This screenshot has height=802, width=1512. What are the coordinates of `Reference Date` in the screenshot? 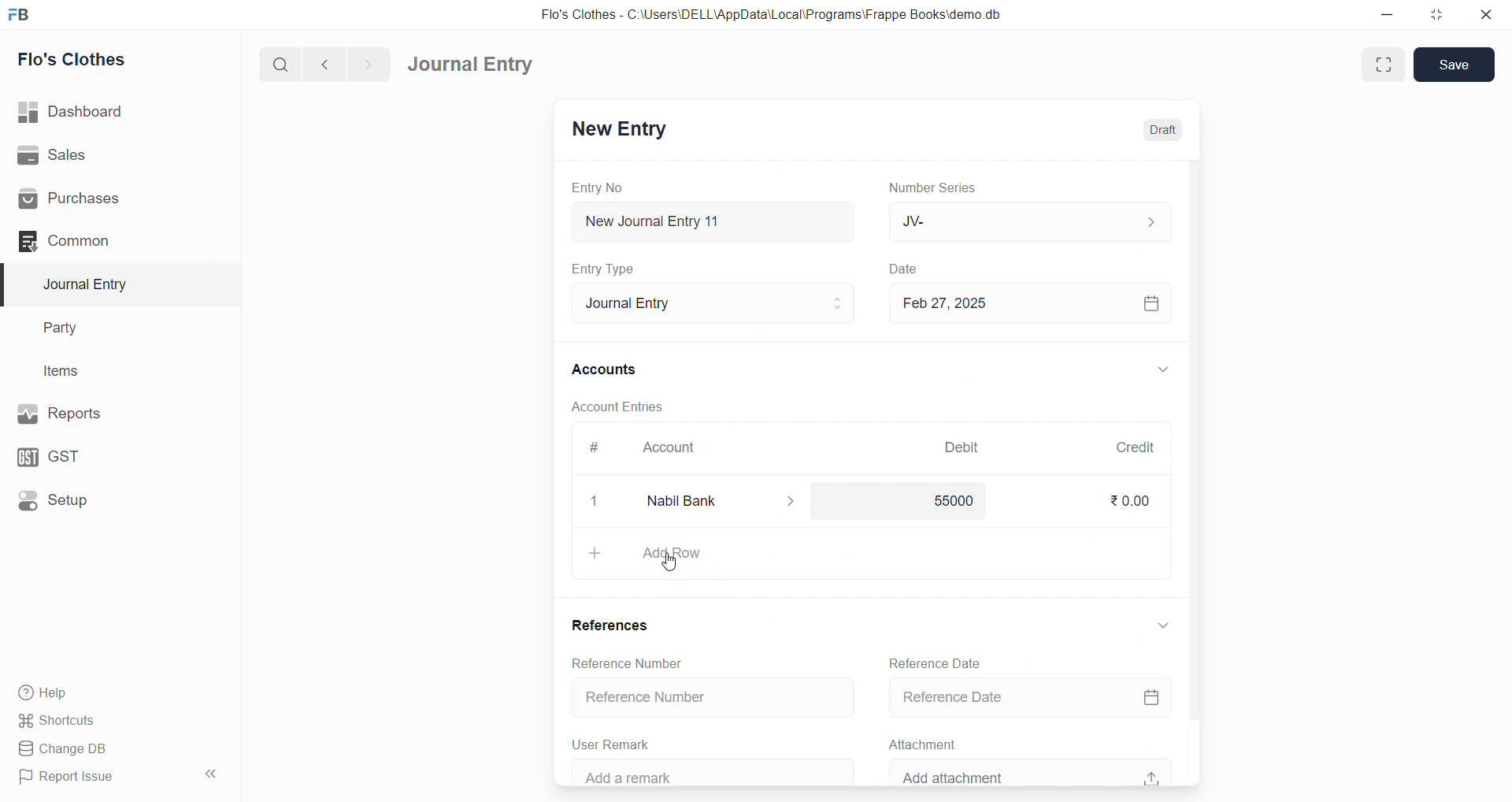 It's located at (1028, 697).